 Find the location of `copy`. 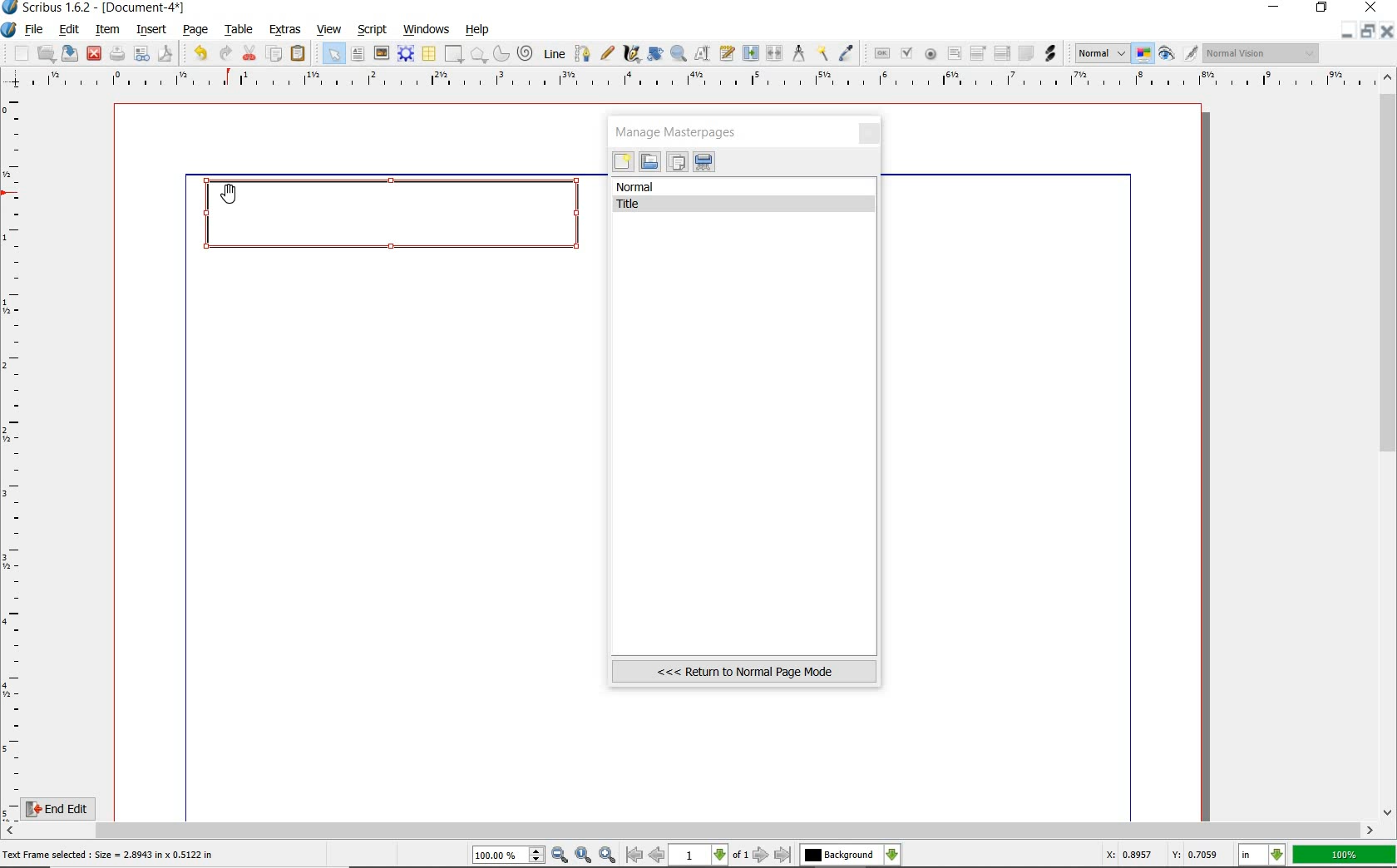

copy is located at coordinates (274, 52).